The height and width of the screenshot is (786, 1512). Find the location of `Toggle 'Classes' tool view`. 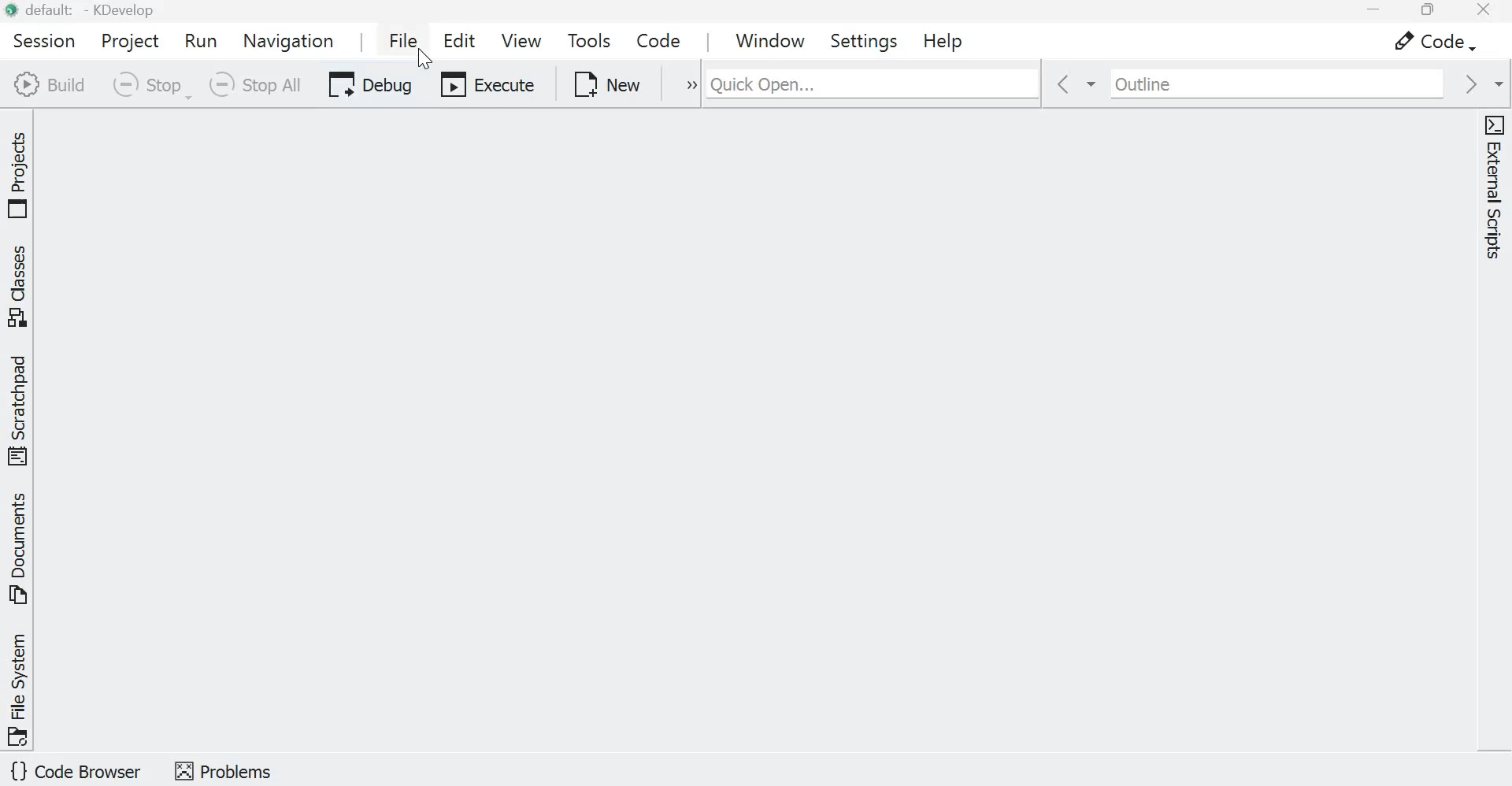

Toggle 'Classes' tool view is located at coordinates (21, 287).